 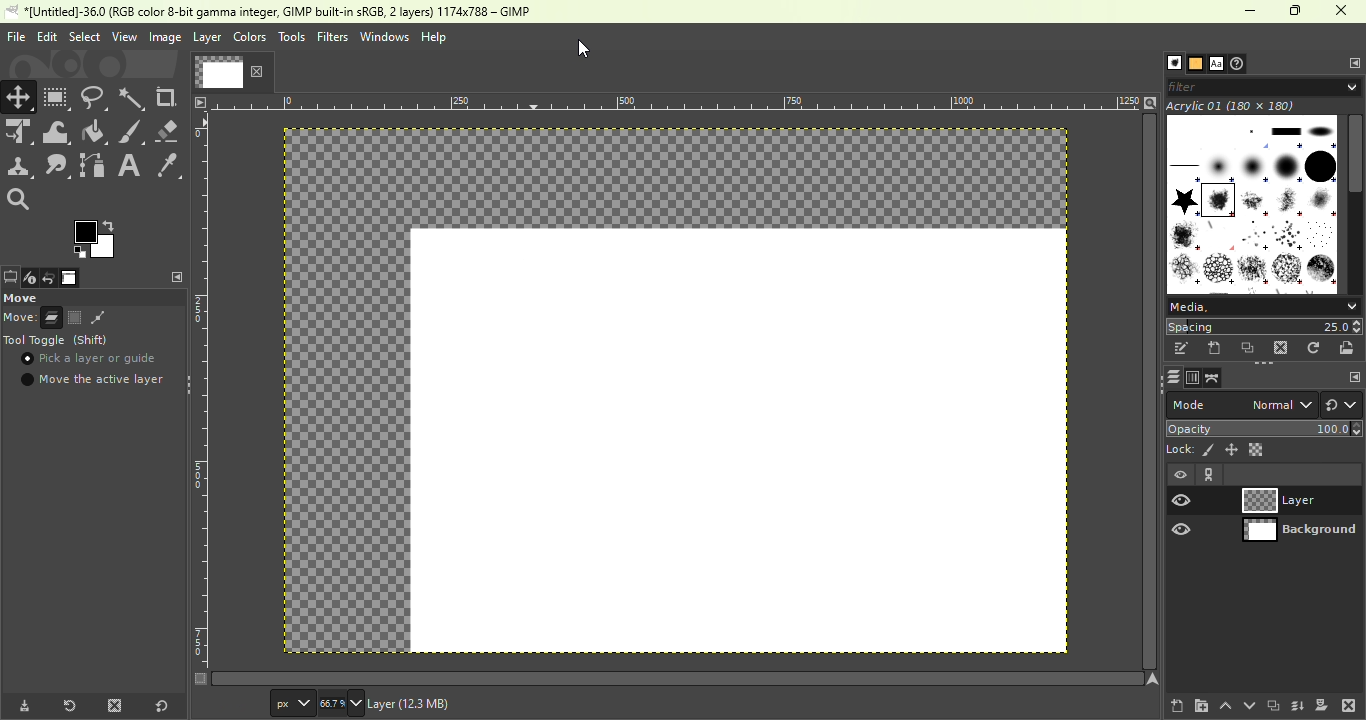 I want to click on Help, so click(x=436, y=37).